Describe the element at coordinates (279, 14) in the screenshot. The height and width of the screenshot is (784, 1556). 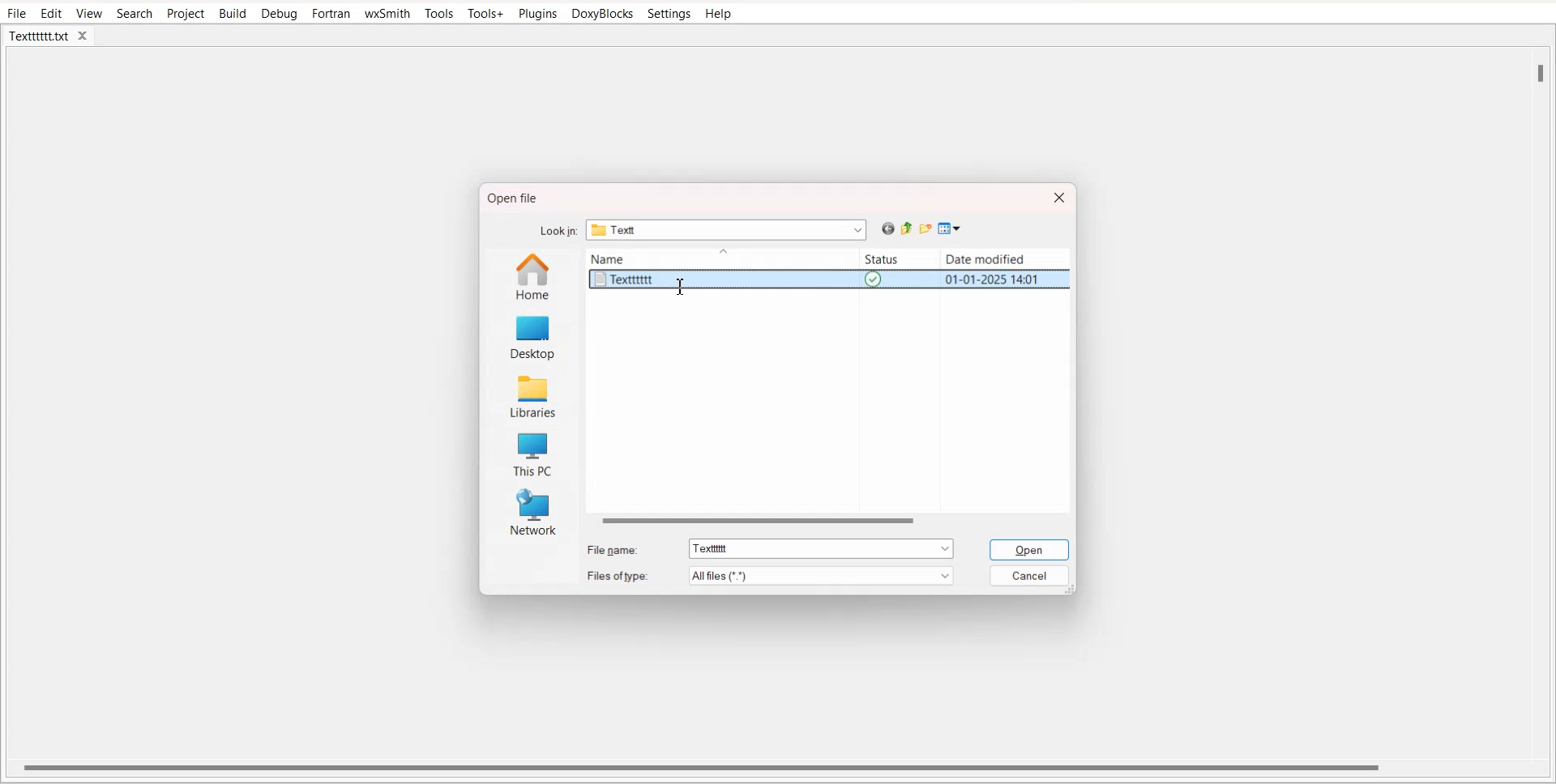
I see `Debug` at that location.